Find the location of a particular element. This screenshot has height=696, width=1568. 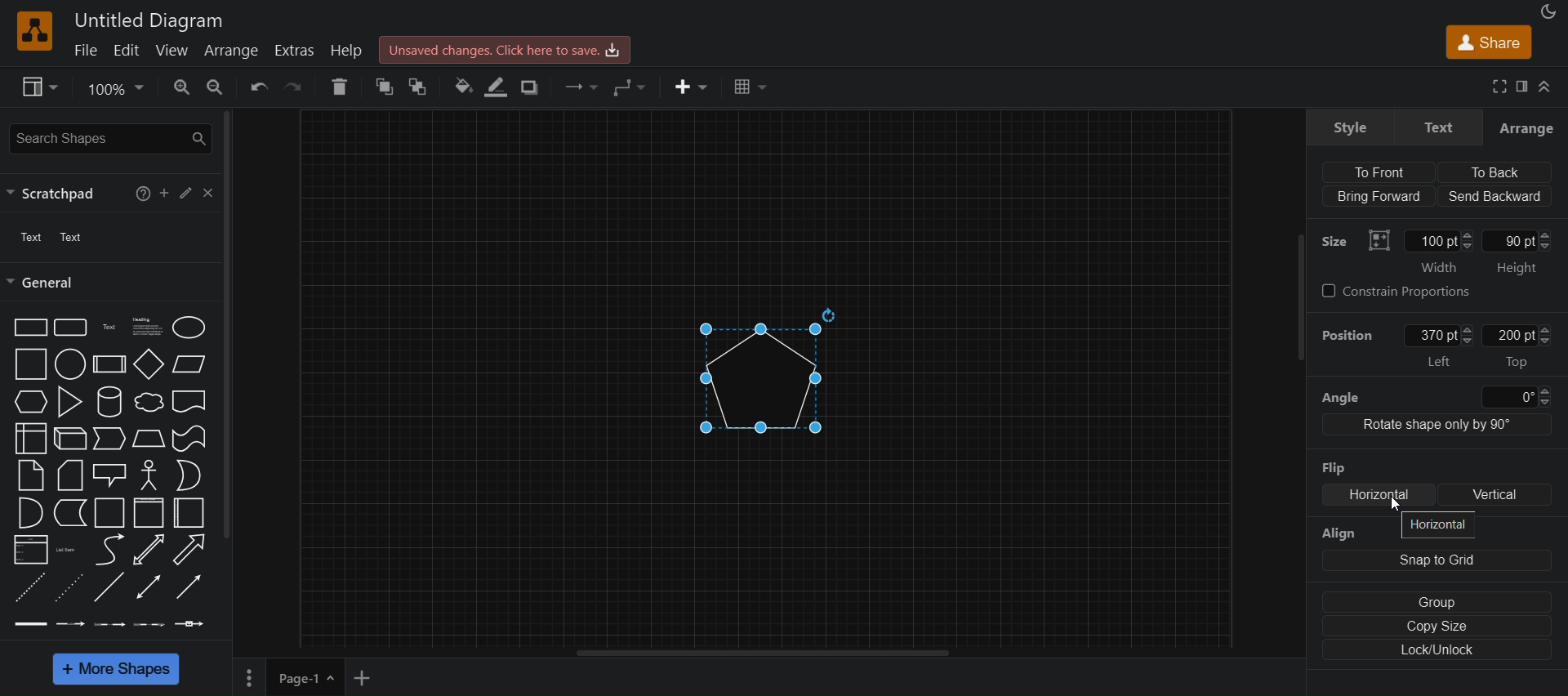

vertical scroll bar is located at coordinates (225, 327).